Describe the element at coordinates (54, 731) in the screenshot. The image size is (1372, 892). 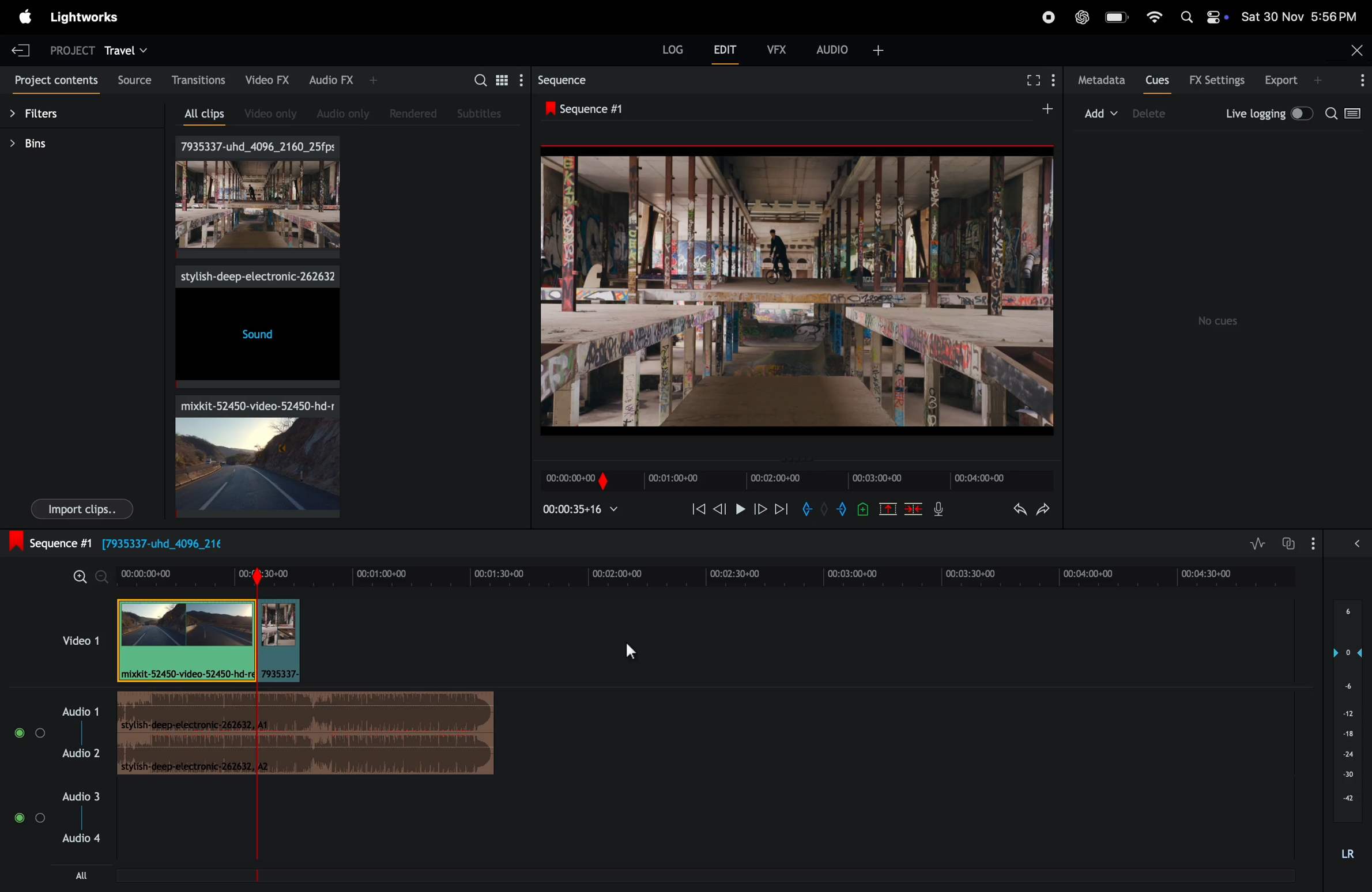
I see `audio 1` at that location.